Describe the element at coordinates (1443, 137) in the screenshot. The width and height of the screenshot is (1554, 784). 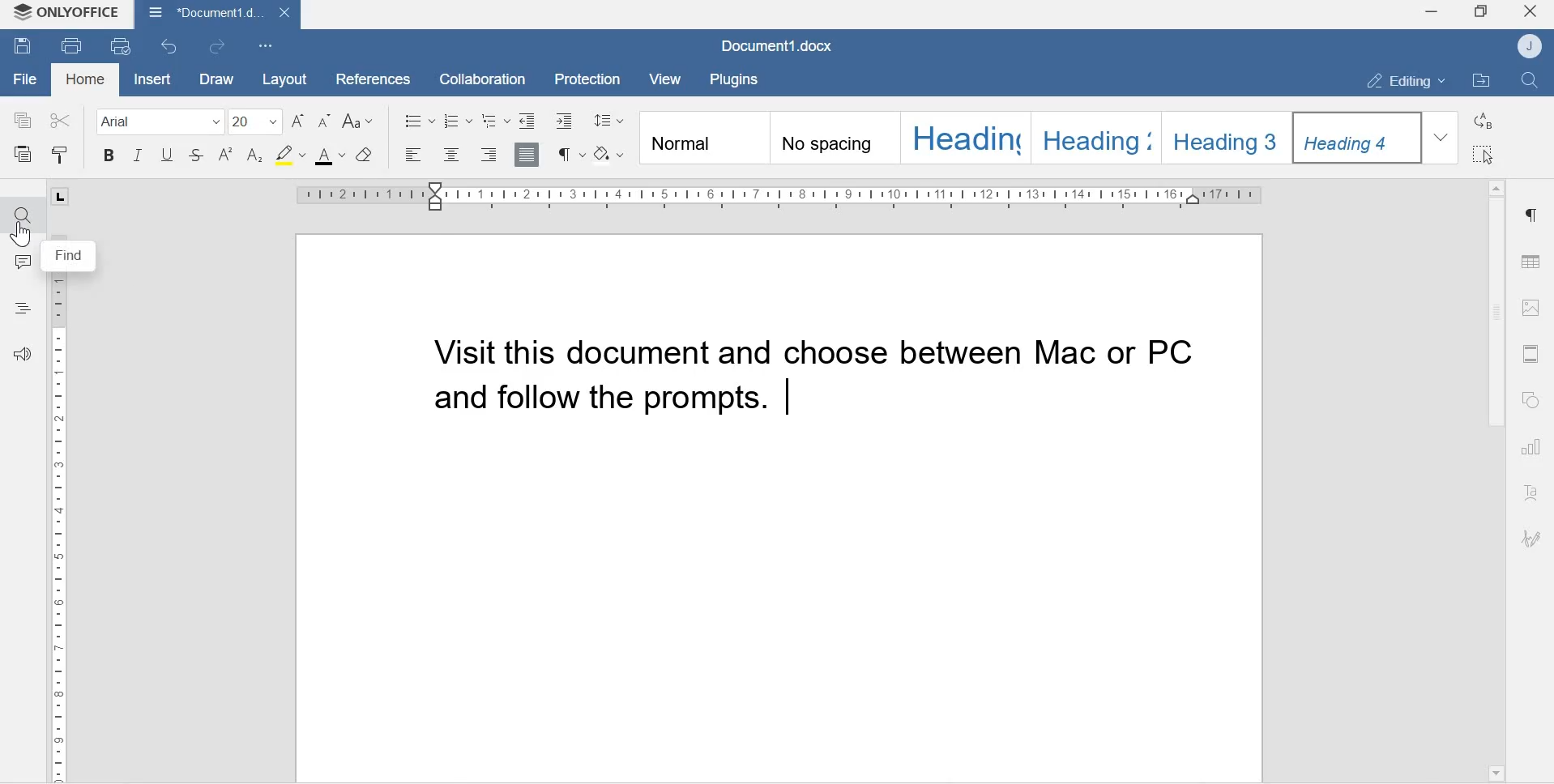
I see `Dropdown` at that location.